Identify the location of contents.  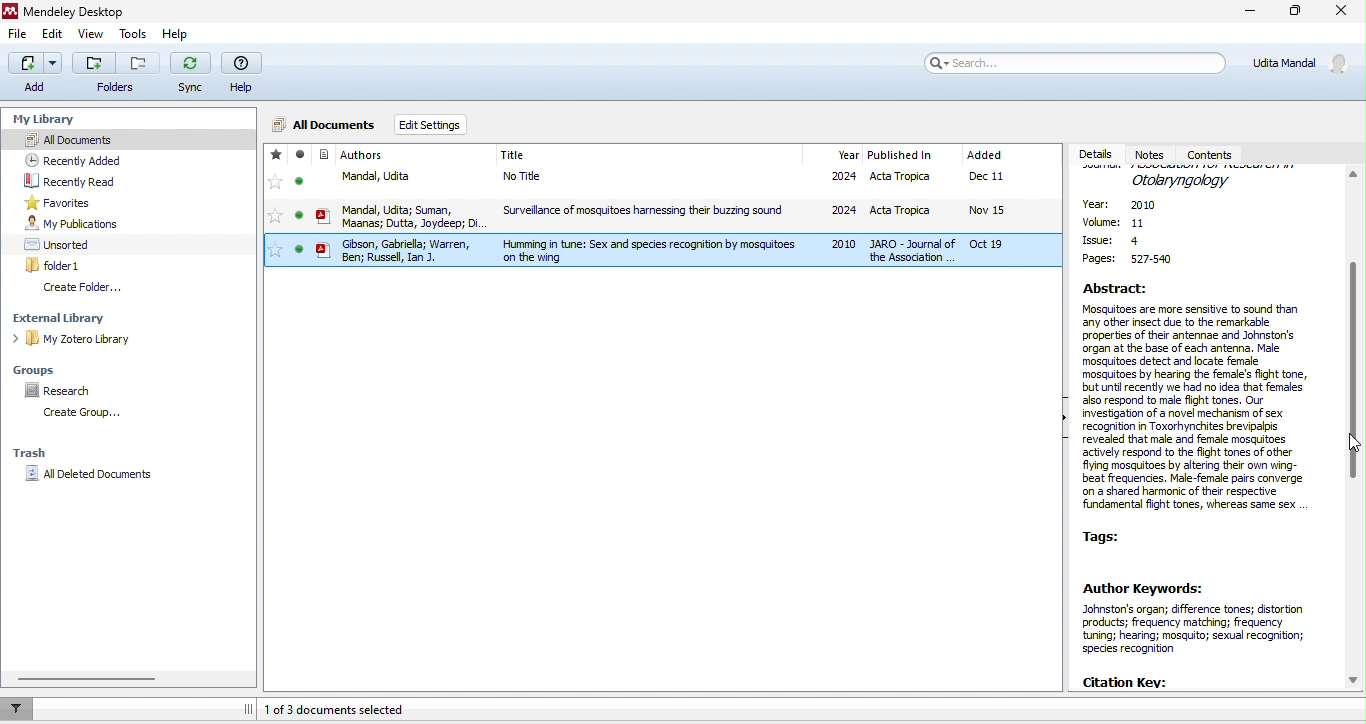
(1214, 155).